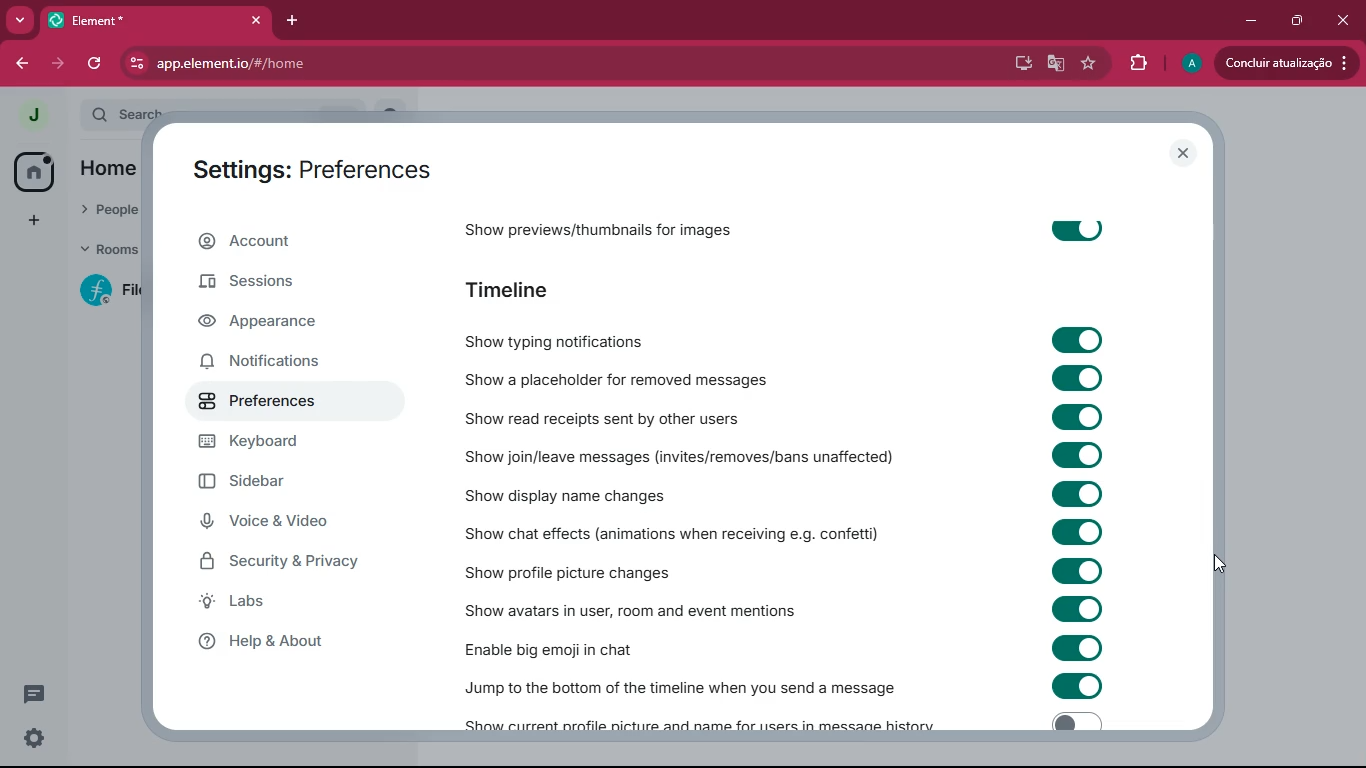  What do you see at coordinates (90, 19) in the screenshot?
I see `element*` at bounding box center [90, 19].